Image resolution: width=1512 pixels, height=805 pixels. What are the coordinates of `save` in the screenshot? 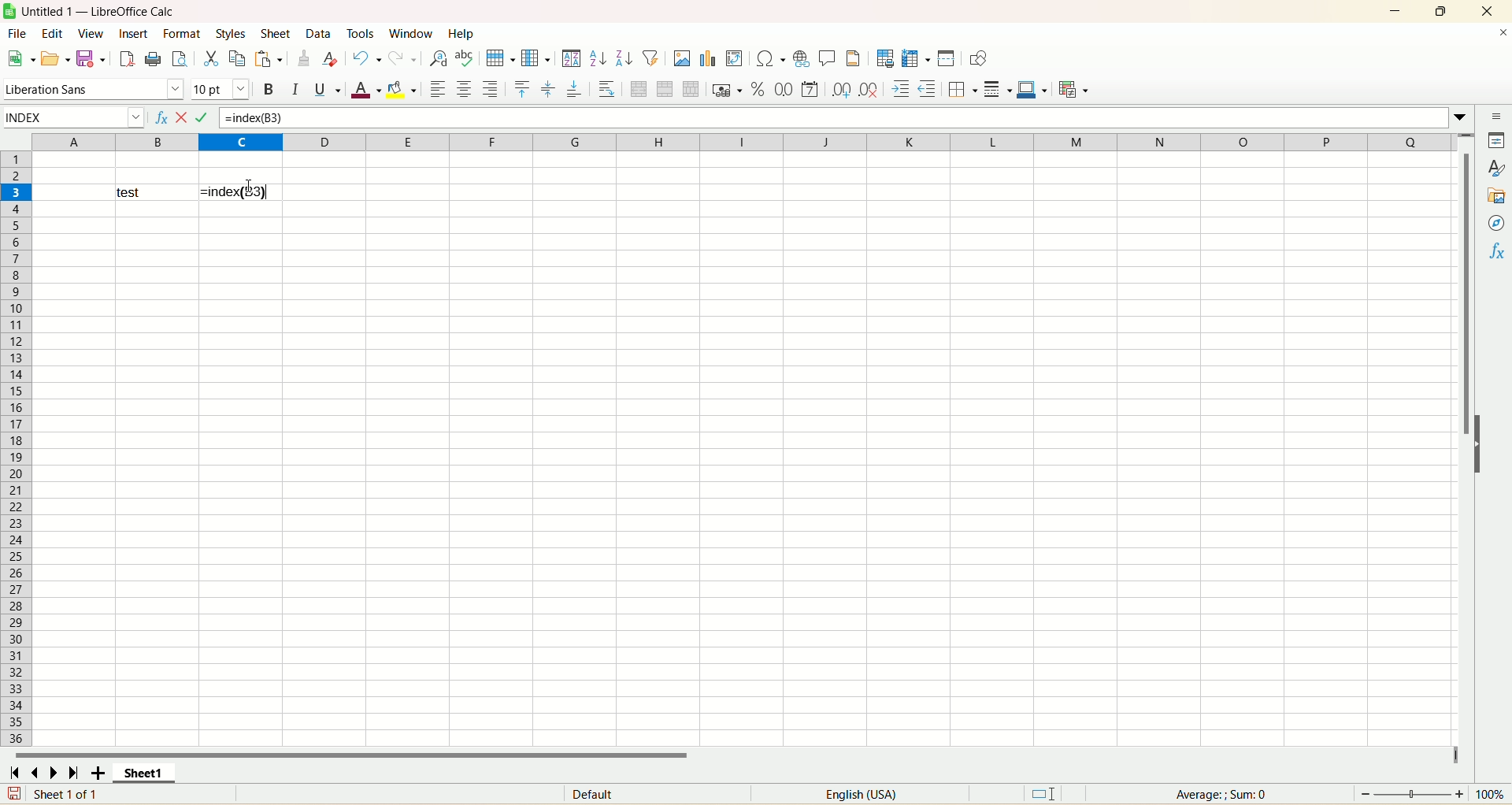 It's located at (90, 59).